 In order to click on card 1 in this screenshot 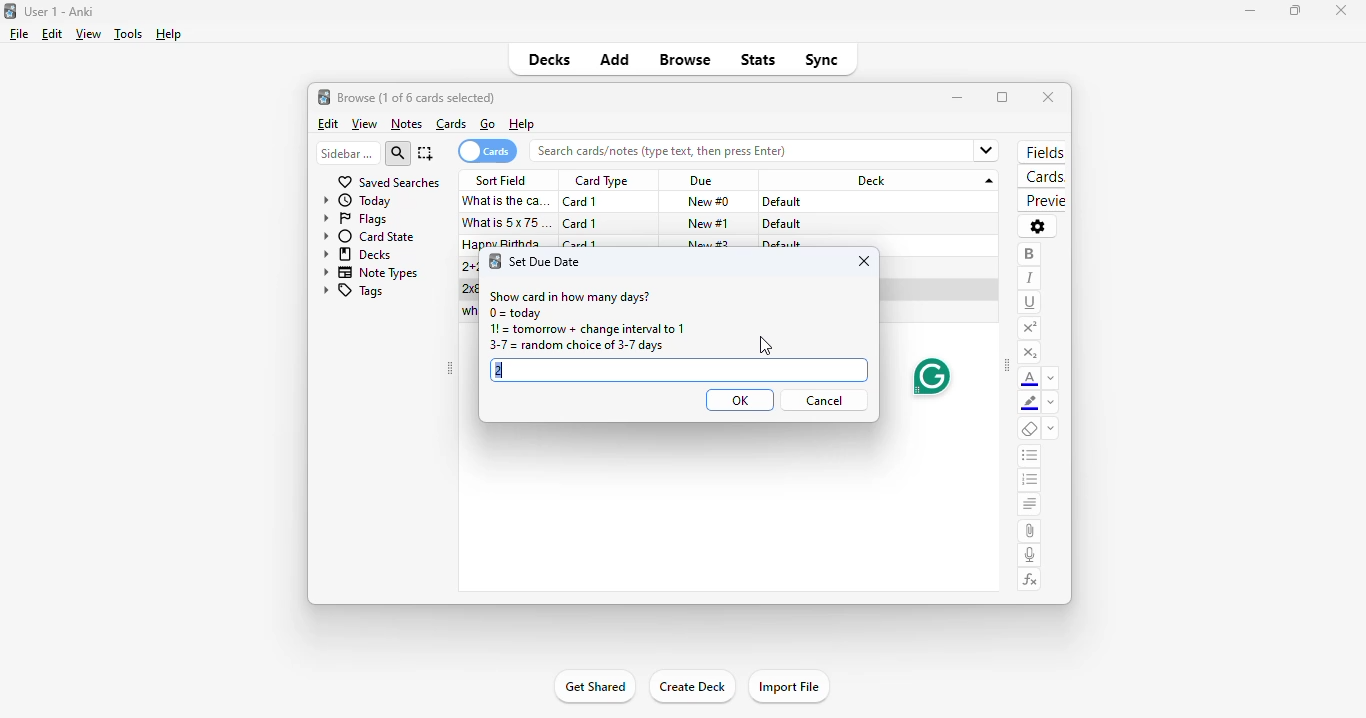, I will do `click(581, 202)`.